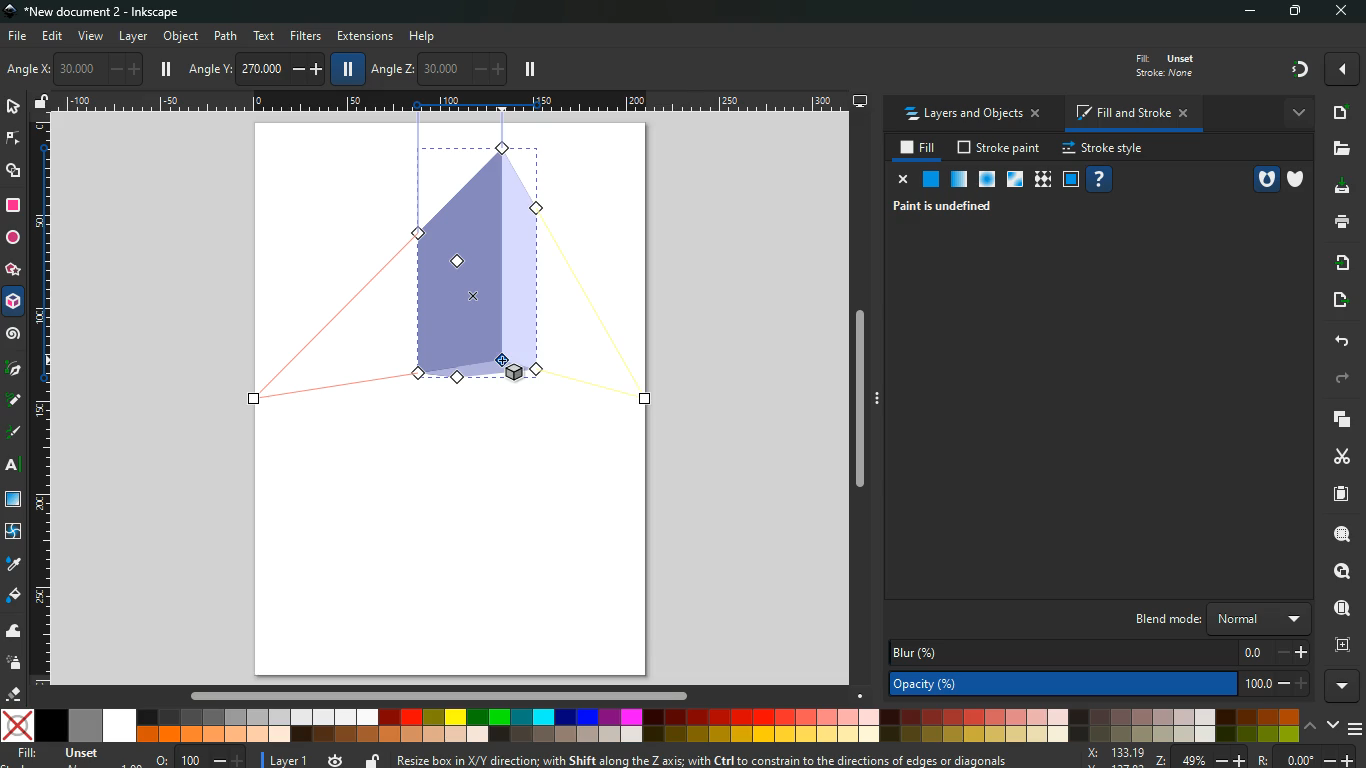  Describe the element at coordinates (1102, 149) in the screenshot. I see `stroke style` at that location.